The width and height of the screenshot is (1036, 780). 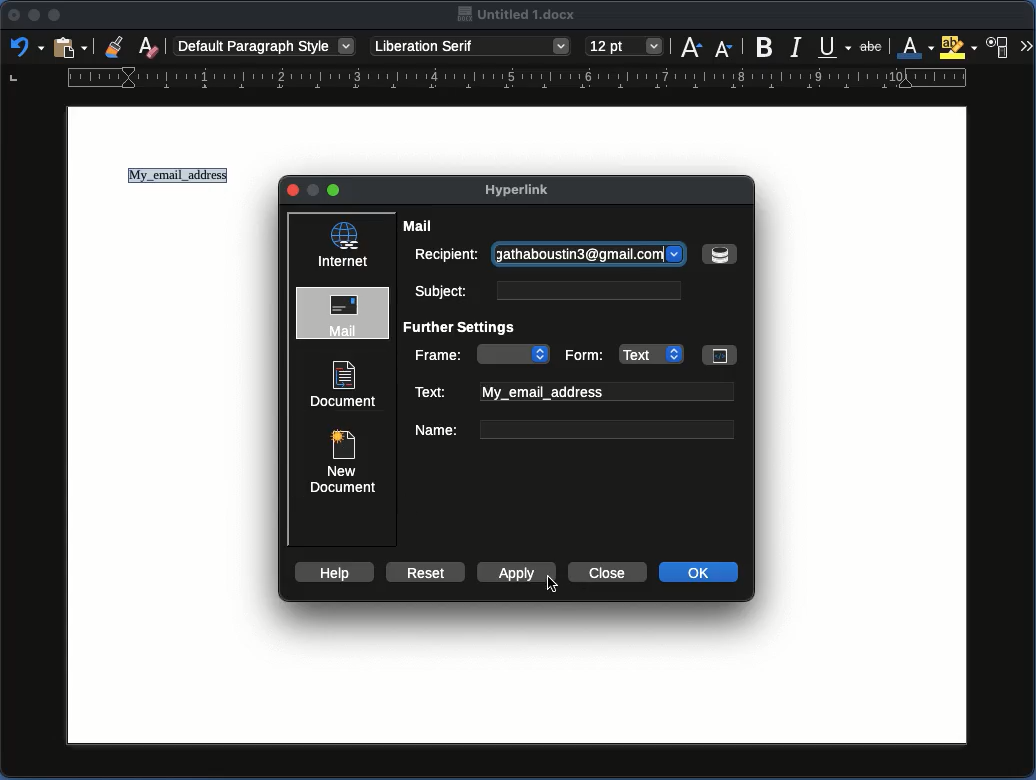 What do you see at coordinates (466, 328) in the screenshot?
I see `Further settings` at bounding box center [466, 328].